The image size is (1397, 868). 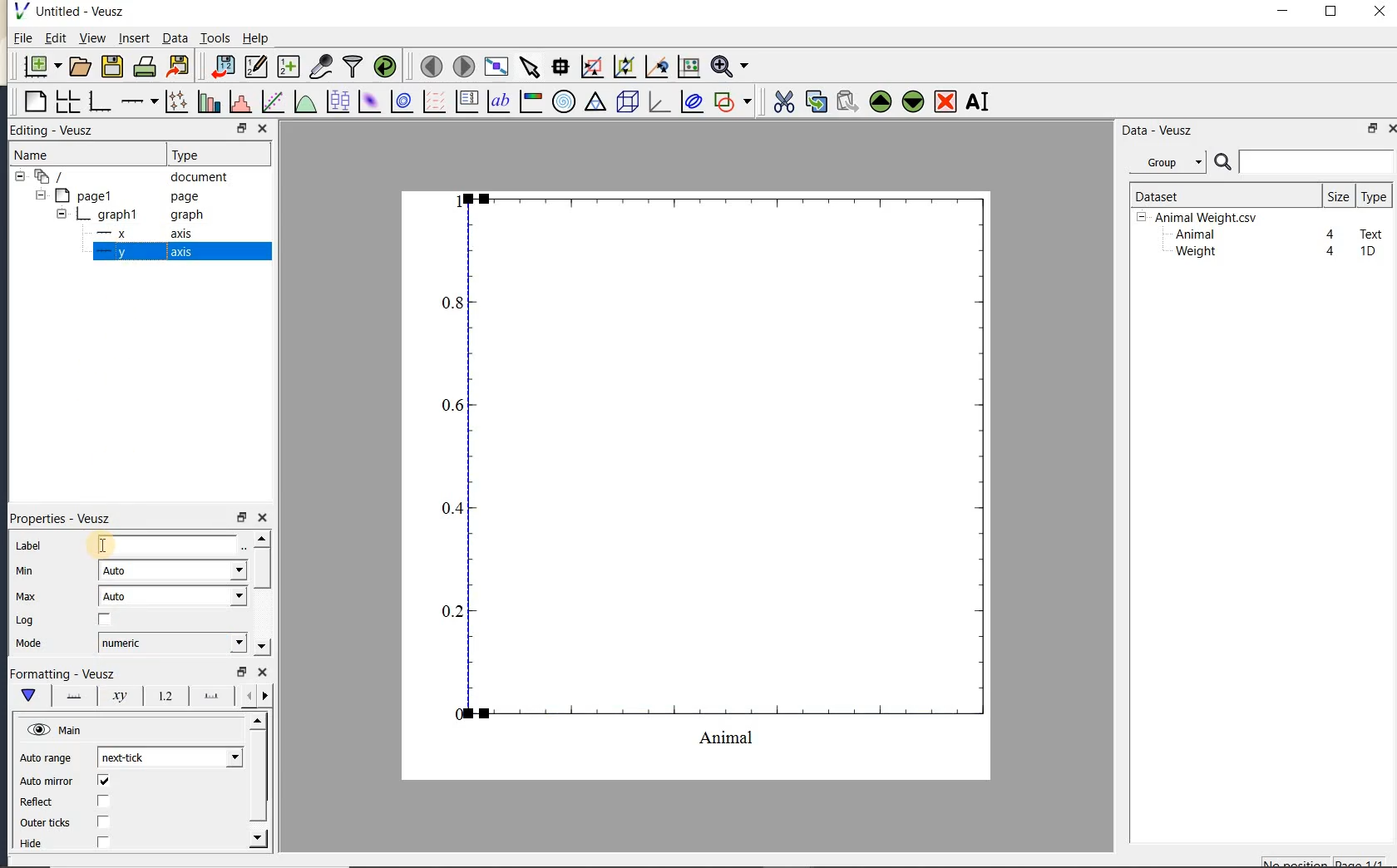 What do you see at coordinates (1218, 195) in the screenshot?
I see `Dataset` at bounding box center [1218, 195].